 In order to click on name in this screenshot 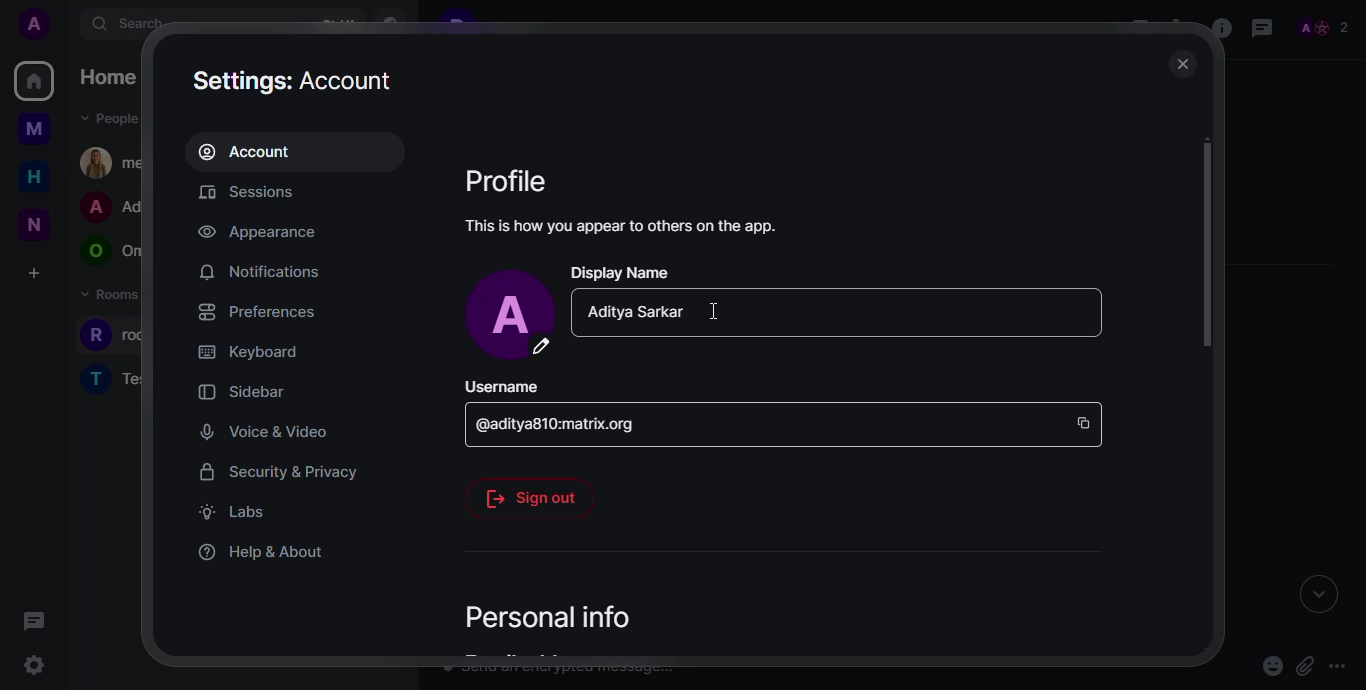, I will do `click(633, 313)`.